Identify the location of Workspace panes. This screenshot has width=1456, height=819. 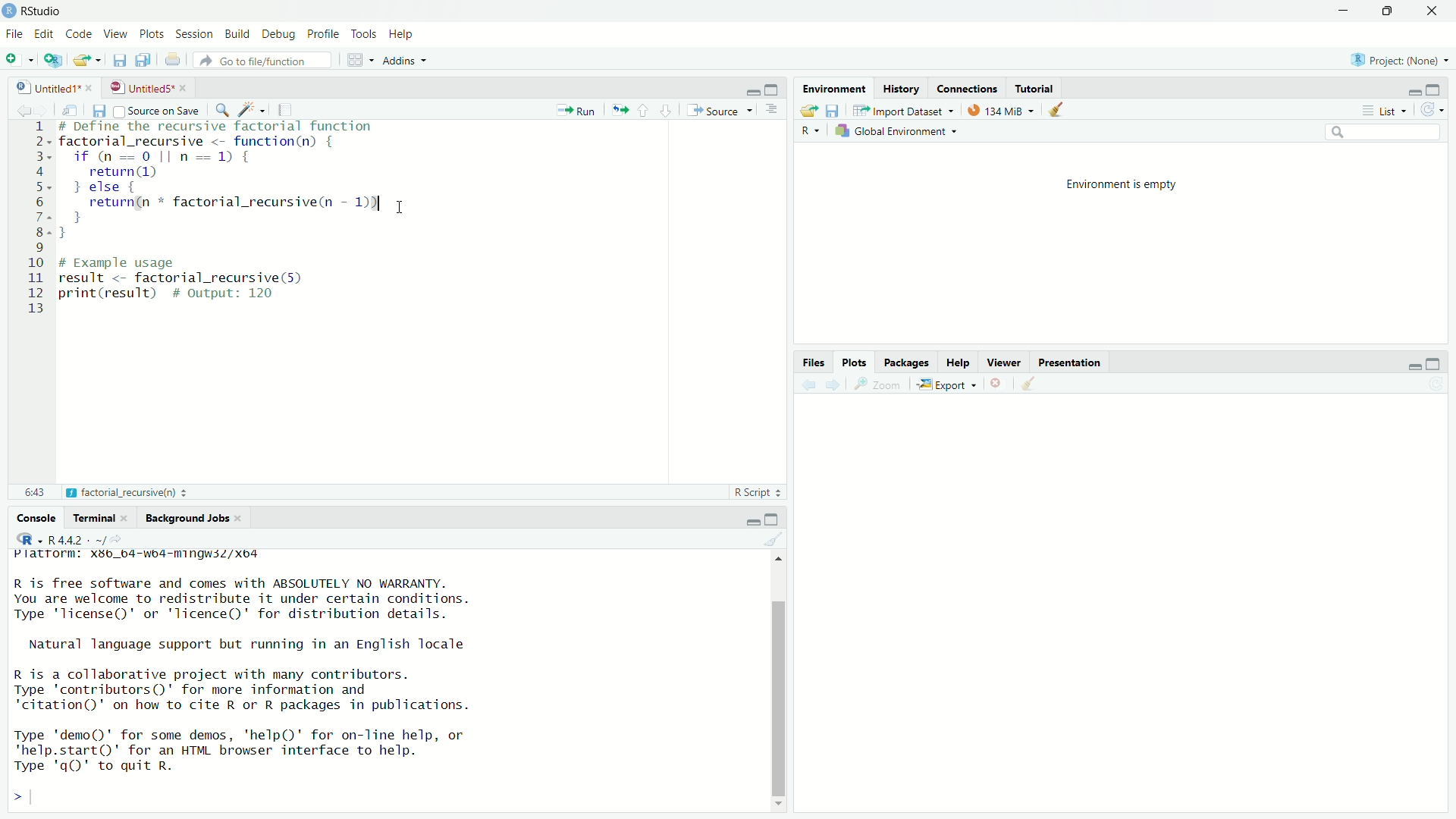
(359, 61).